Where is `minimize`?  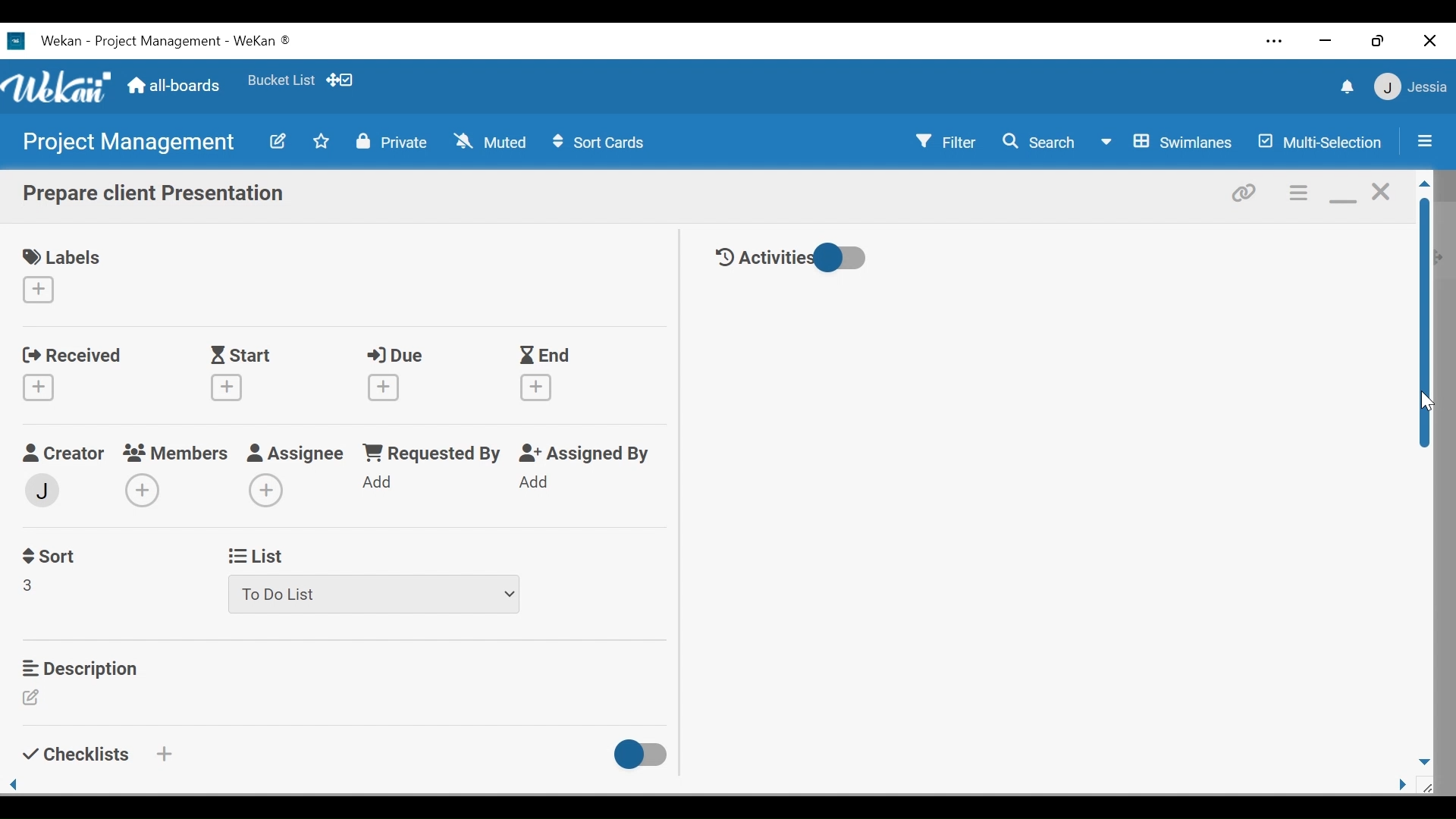 minimize is located at coordinates (1343, 193).